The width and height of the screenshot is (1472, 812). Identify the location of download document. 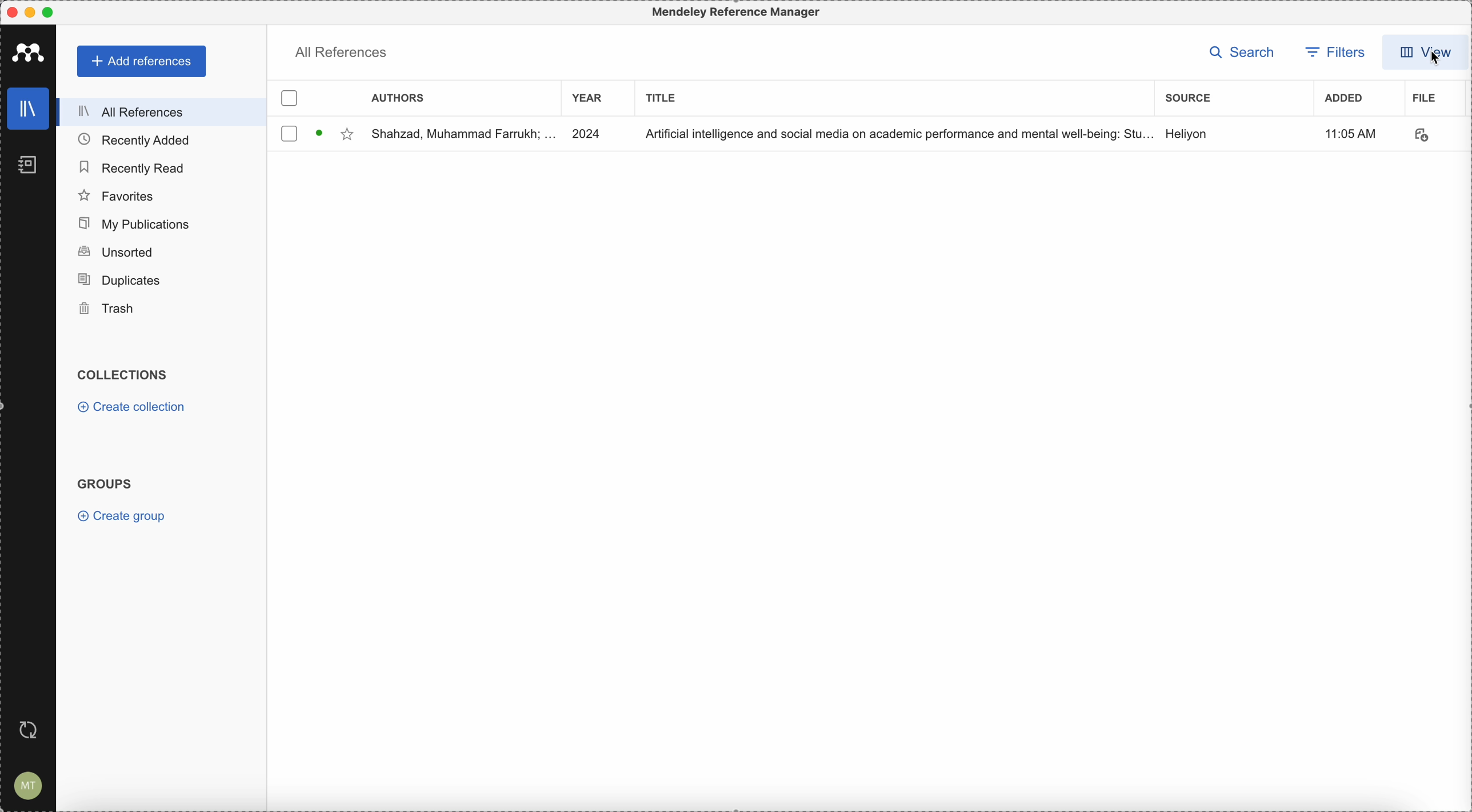
(319, 133).